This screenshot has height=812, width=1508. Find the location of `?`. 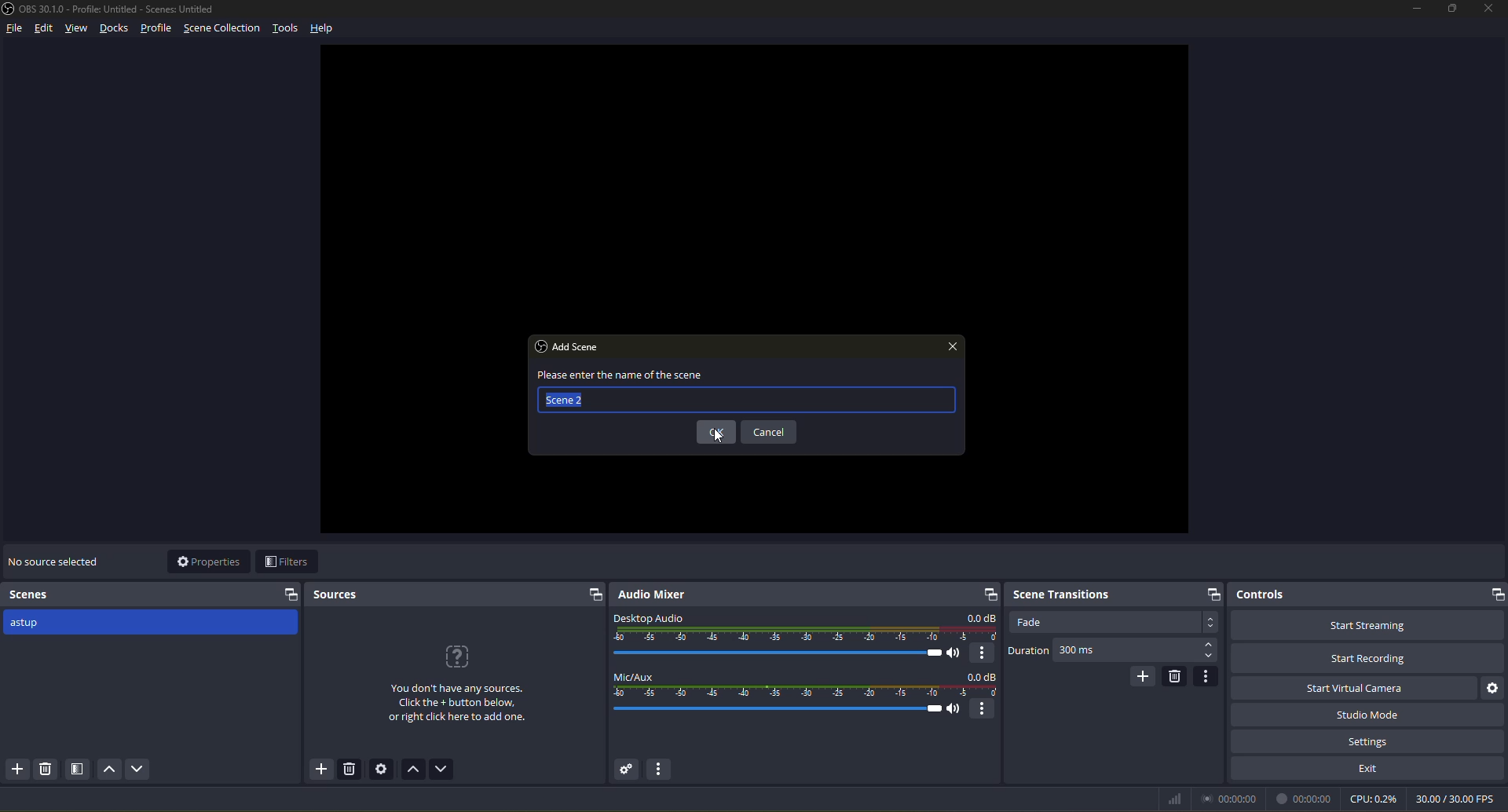

? is located at coordinates (454, 654).